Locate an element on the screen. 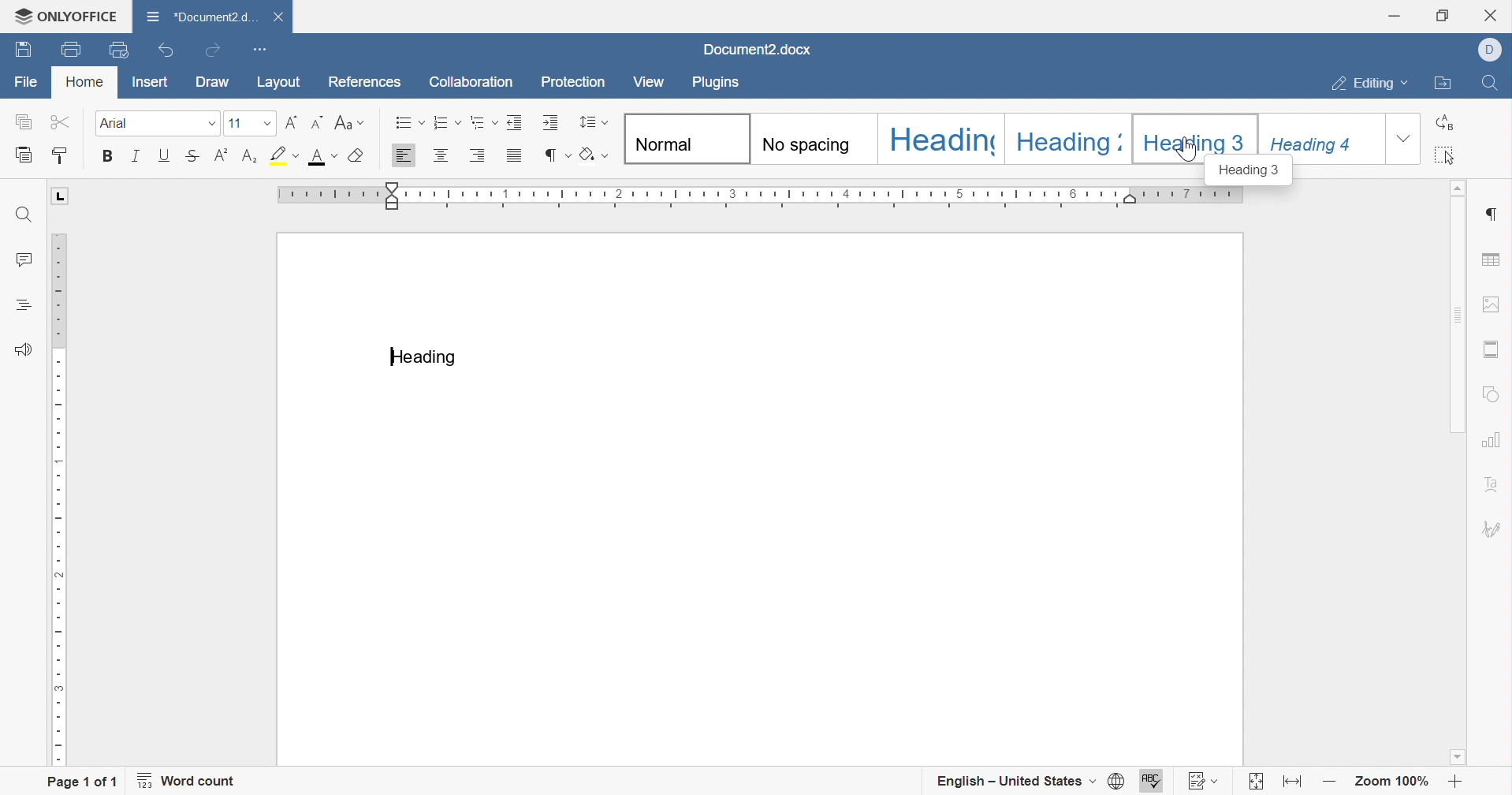 The image size is (1512, 795). Home is located at coordinates (84, 80).